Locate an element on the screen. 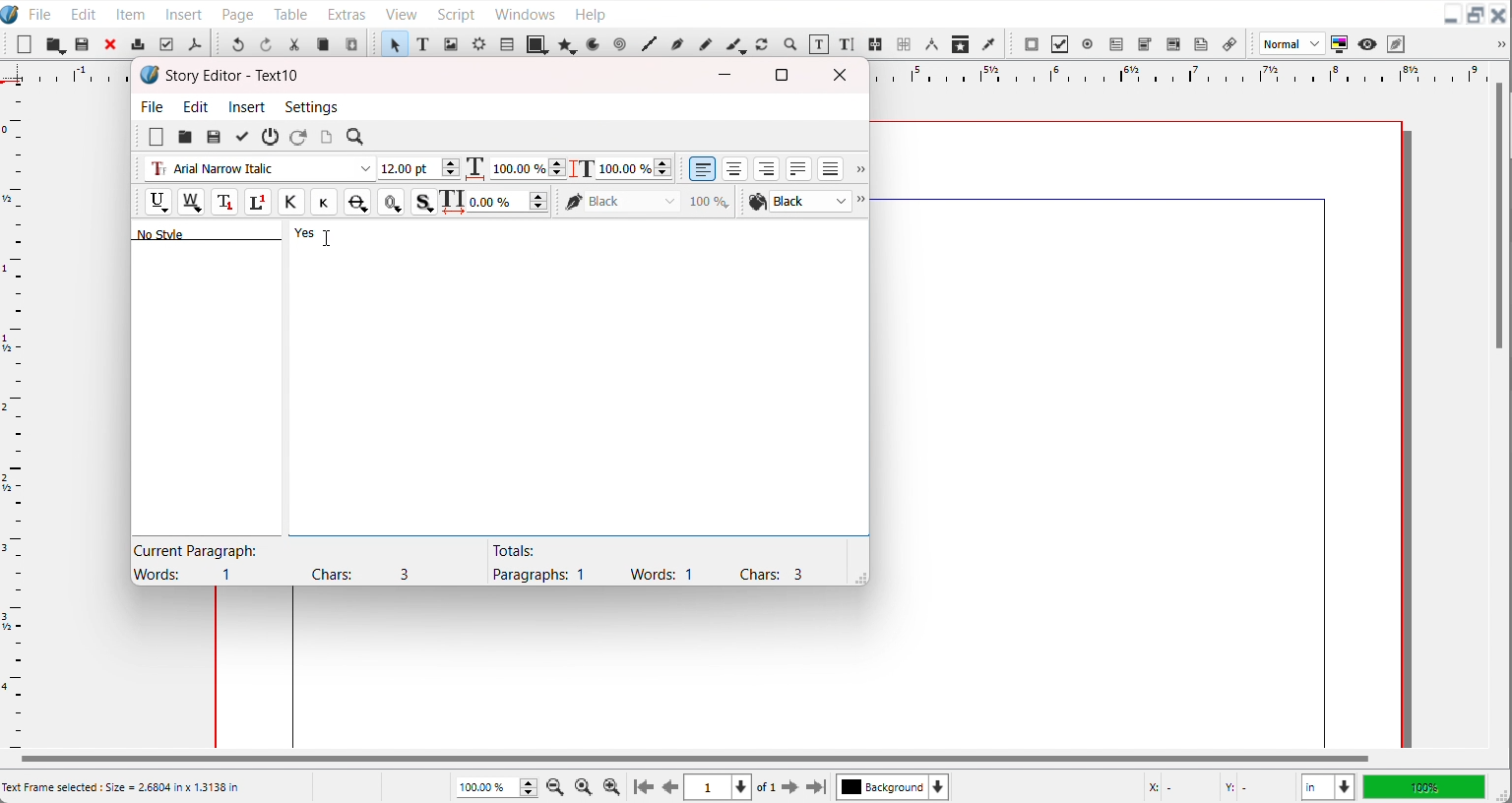  Copy item Properties is located at coordinates (961, 43).